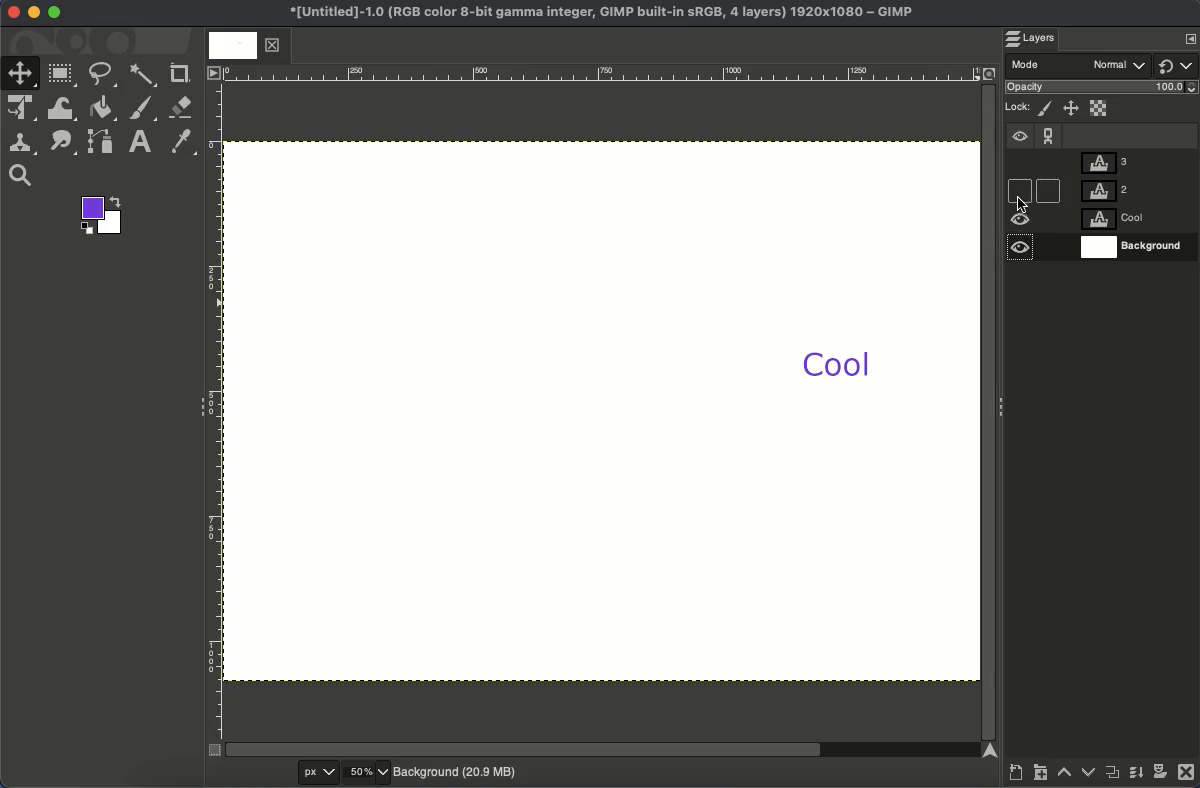 This screenshot has height=788, width=1200. I want to click on Merge, so click(1135, 777).